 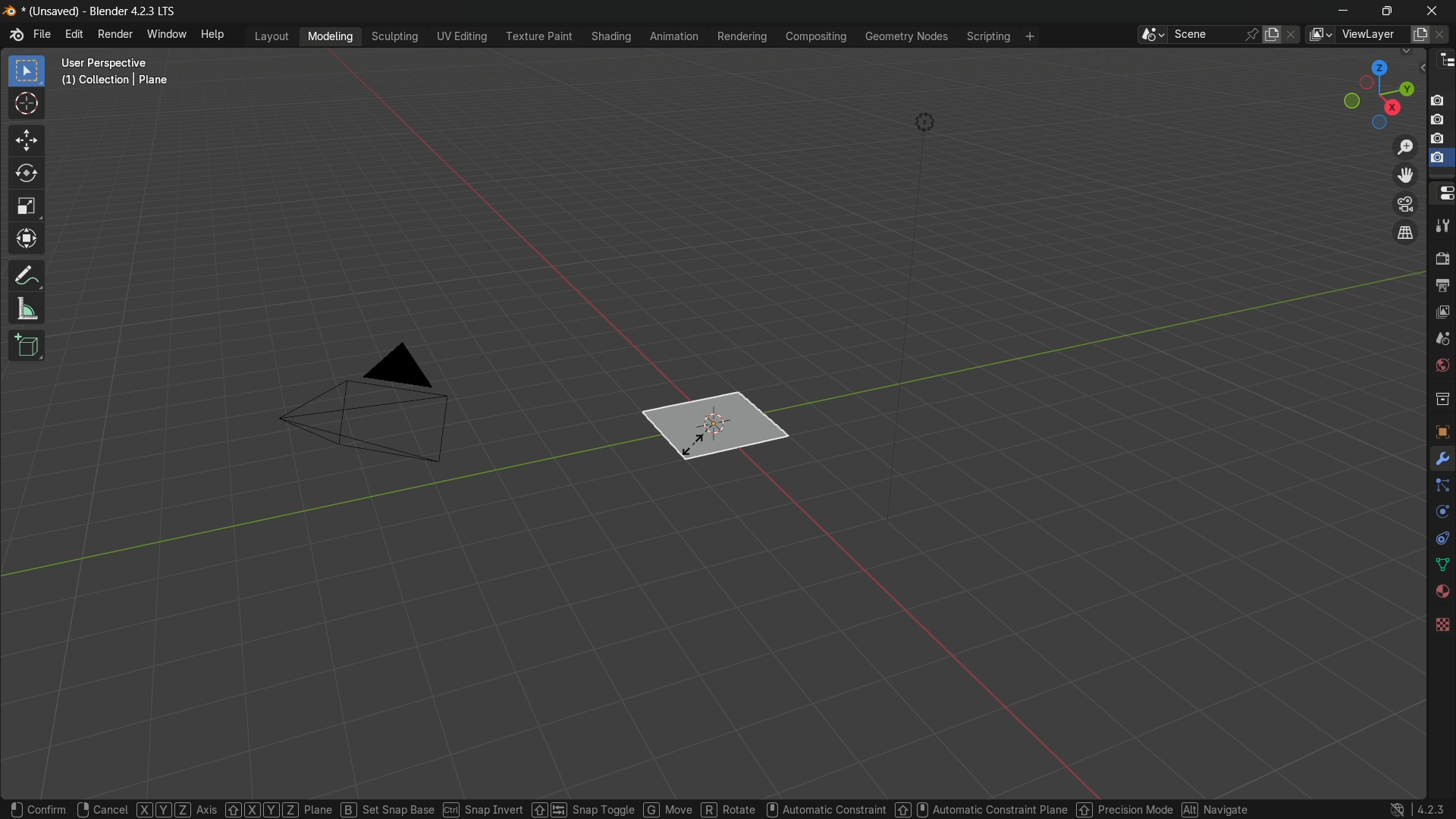 I want to click on scene name, so click(x=1200, y=33).